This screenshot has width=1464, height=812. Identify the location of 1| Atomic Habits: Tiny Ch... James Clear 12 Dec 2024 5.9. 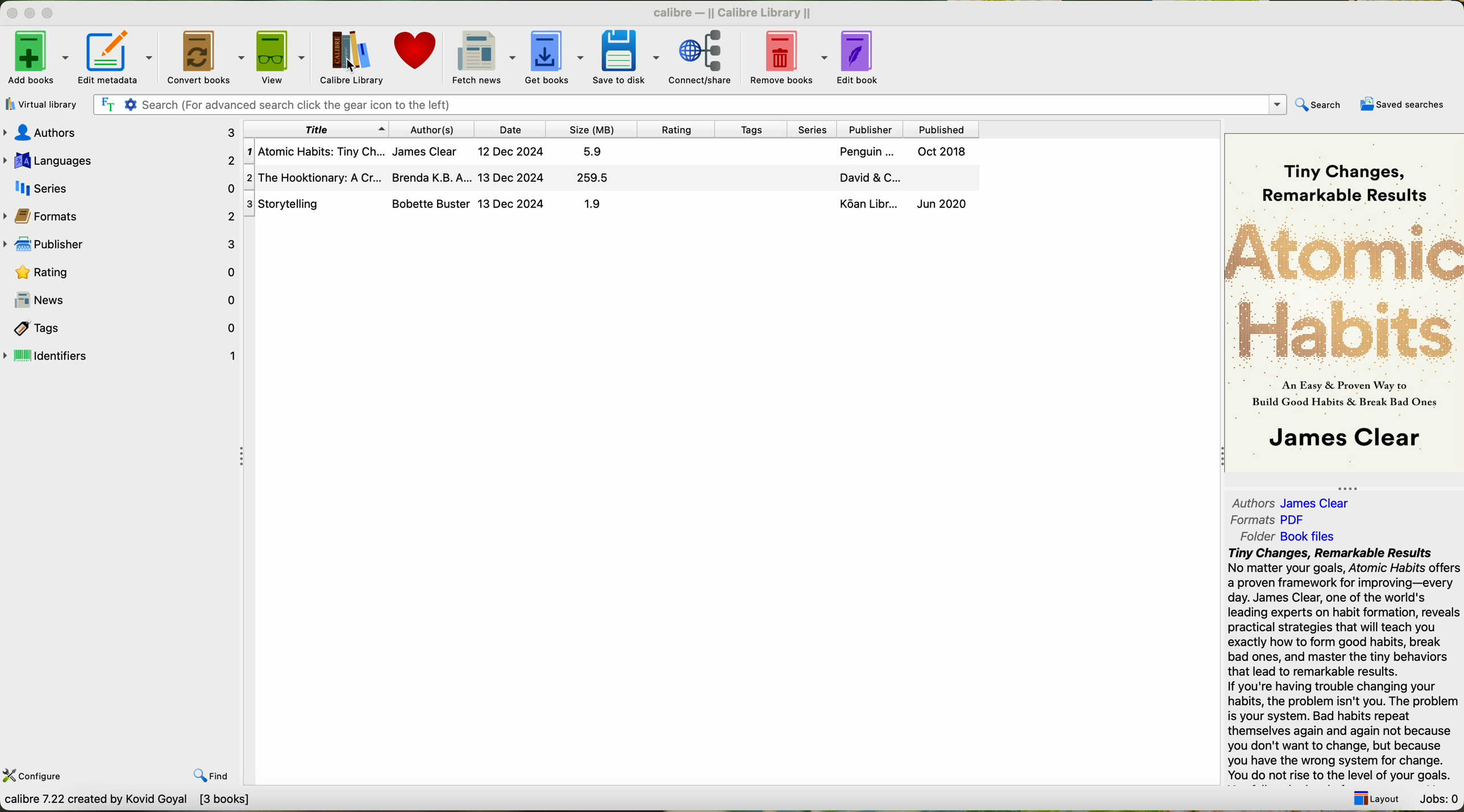
(431, 153).